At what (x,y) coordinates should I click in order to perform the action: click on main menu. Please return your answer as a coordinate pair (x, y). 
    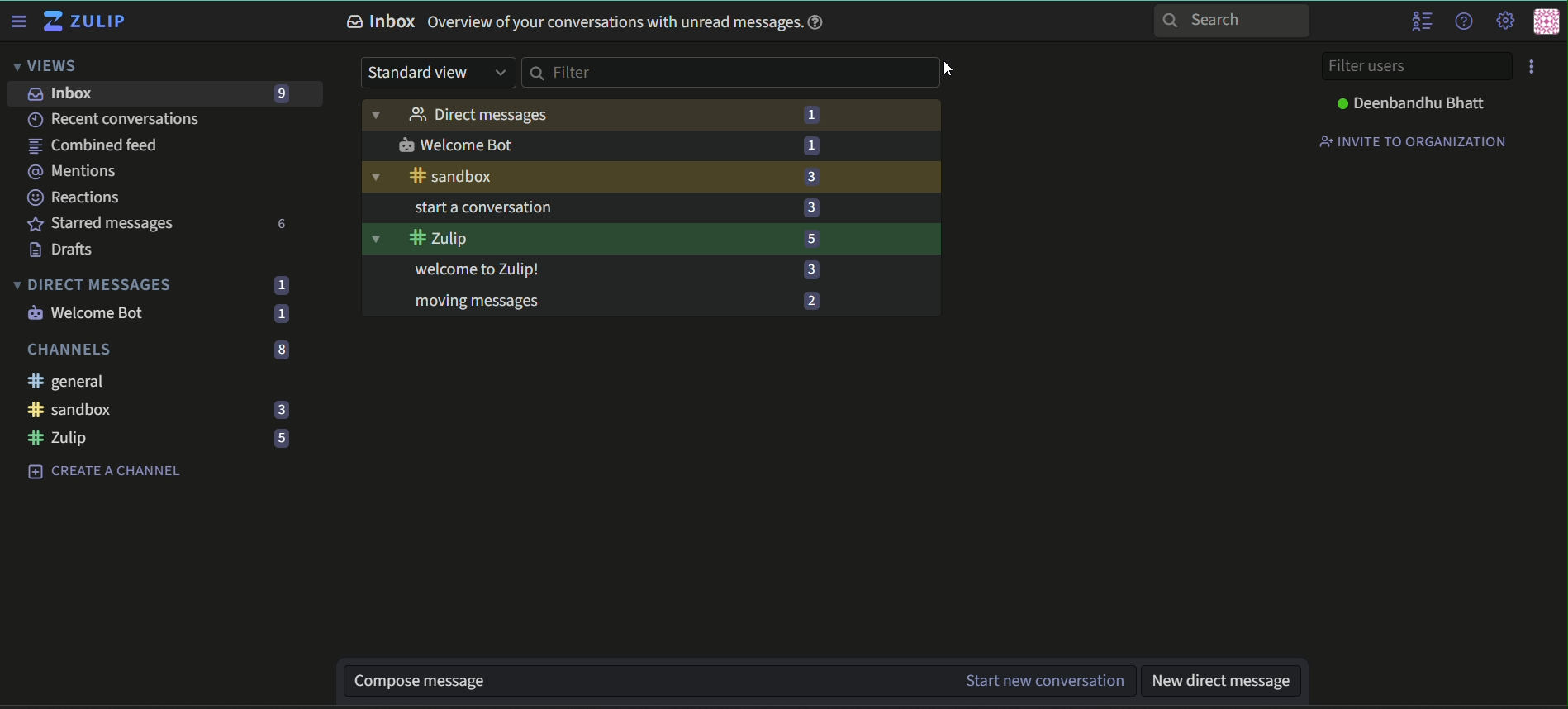
    Looking at the image, I should click on (1503, 20).